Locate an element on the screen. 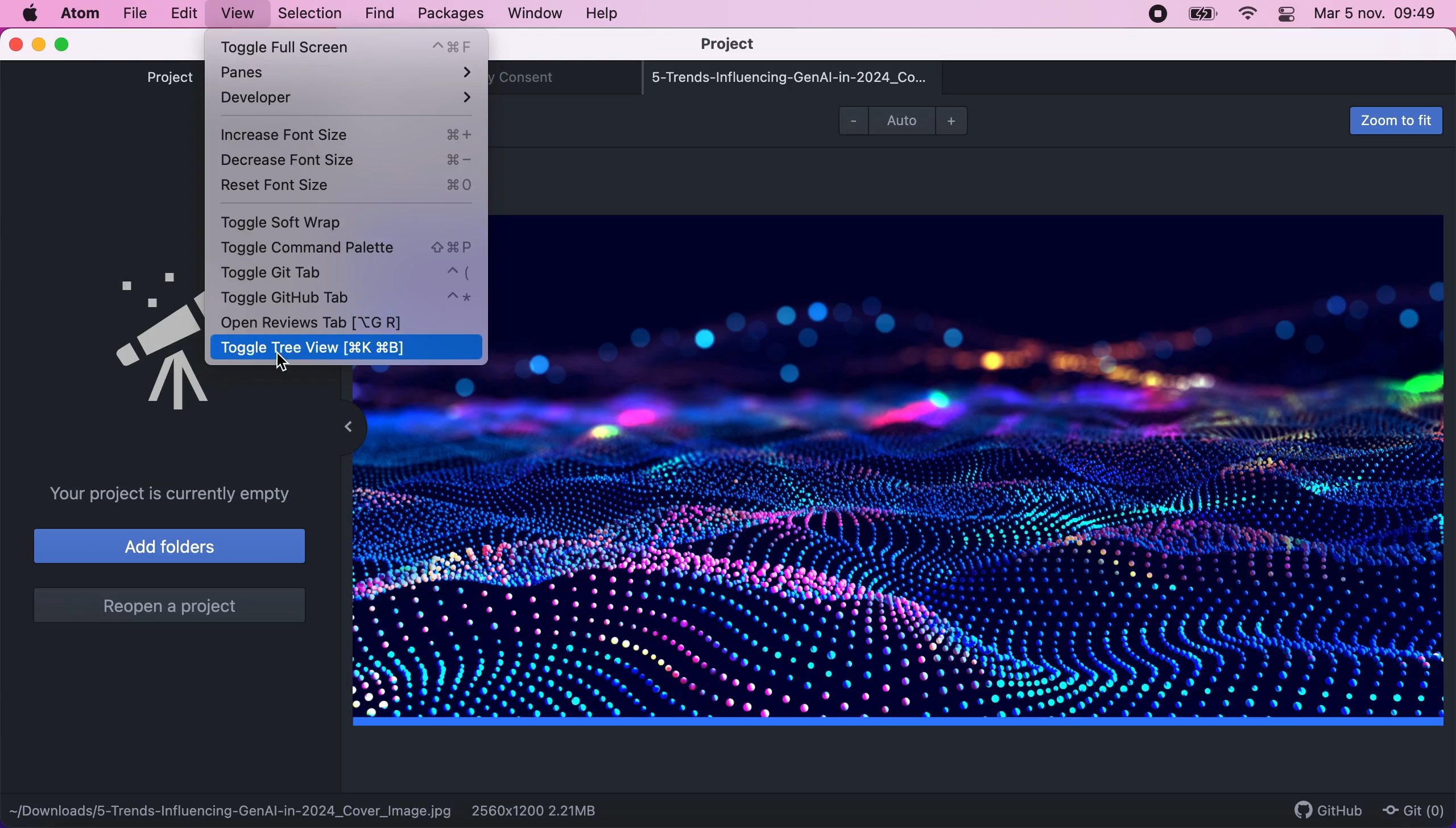 Image resolution: width=1456 pixels, height=828 pixels. panes is located at coordinates (348, 73).